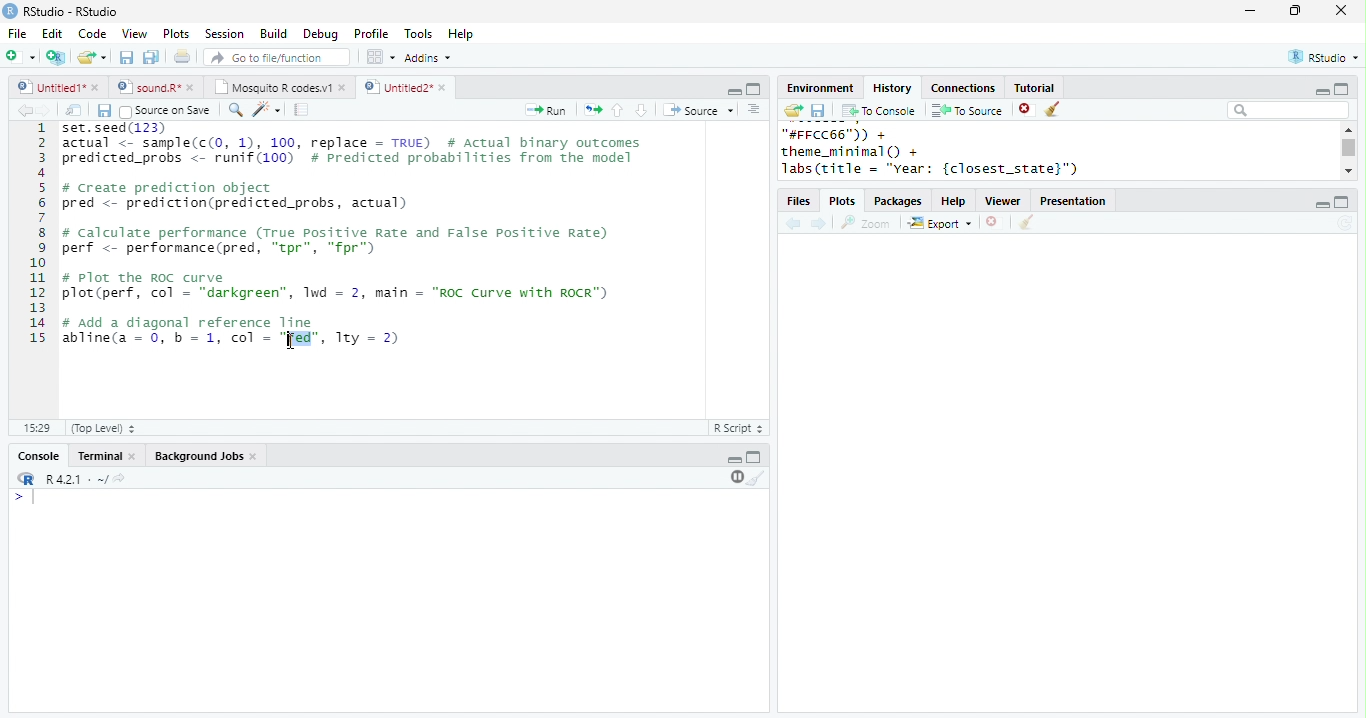 This screenshot has width=1366, height=718. I want to click on minimize, so click(734, 460).